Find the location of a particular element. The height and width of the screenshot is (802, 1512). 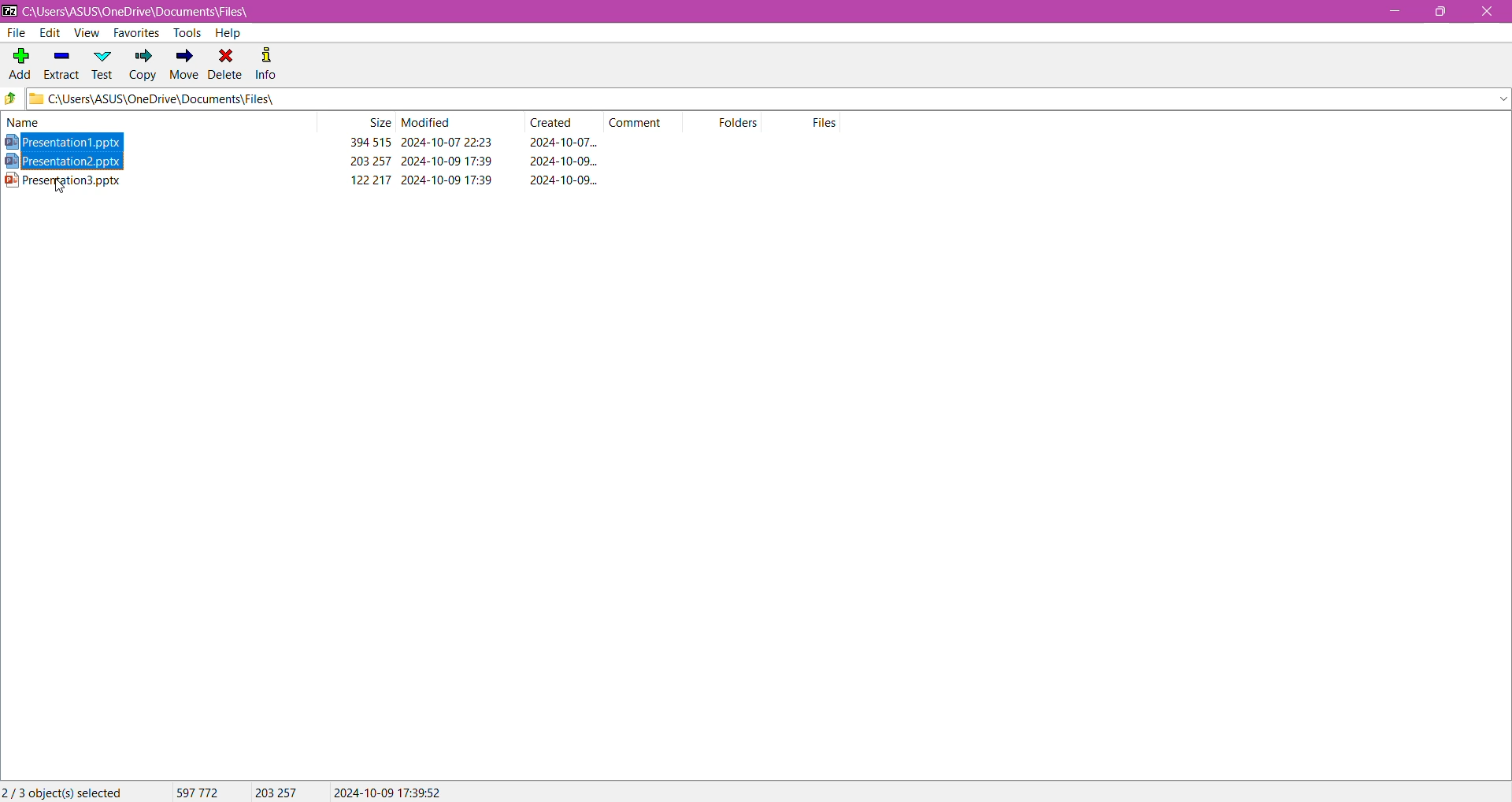

Presentation1.pptx 394 515 2024-10-07 22:23 2024-10-07... is located at coordinates (308, 143).